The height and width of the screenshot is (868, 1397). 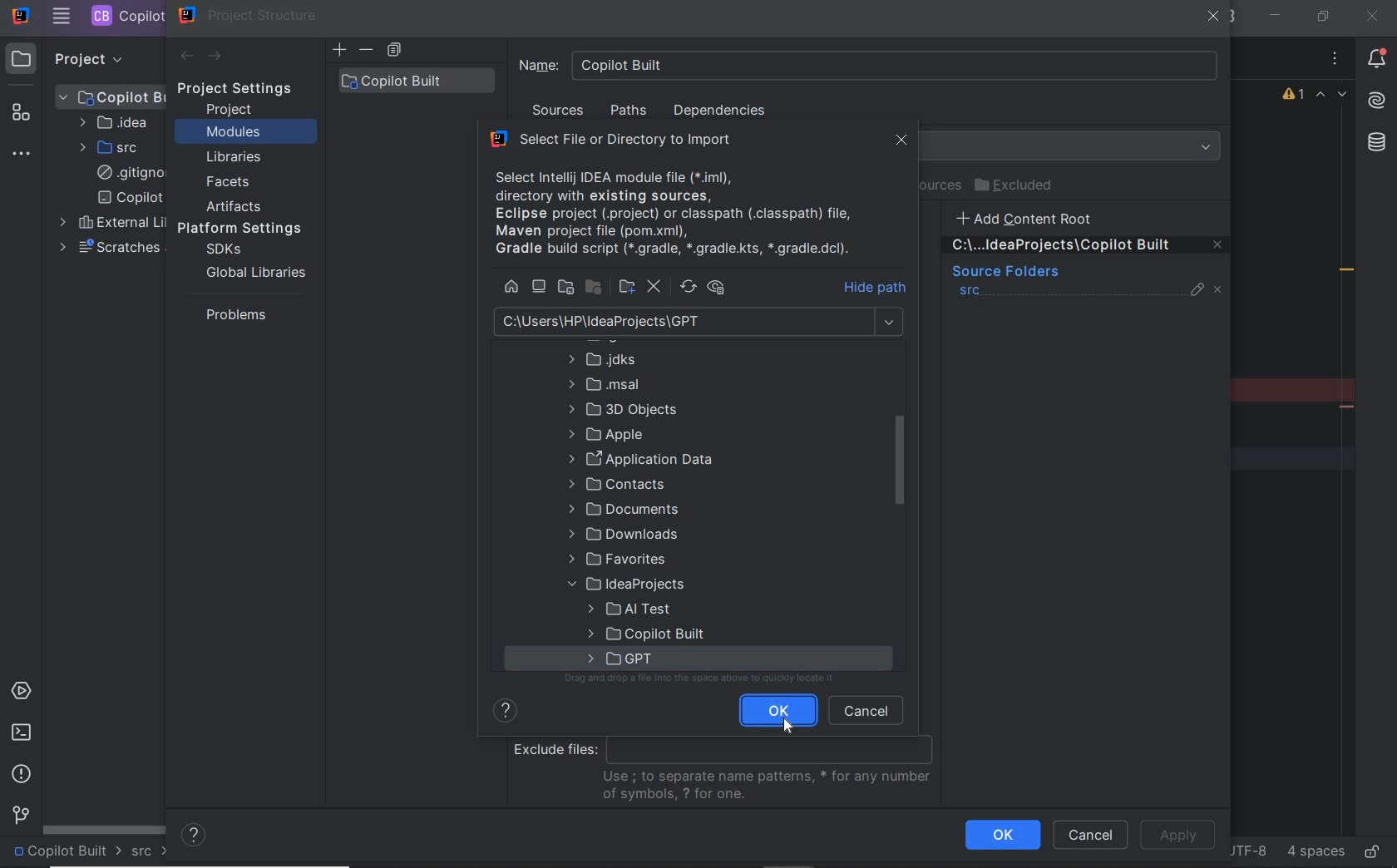 I want to click on back, so click(x=185, y=57).